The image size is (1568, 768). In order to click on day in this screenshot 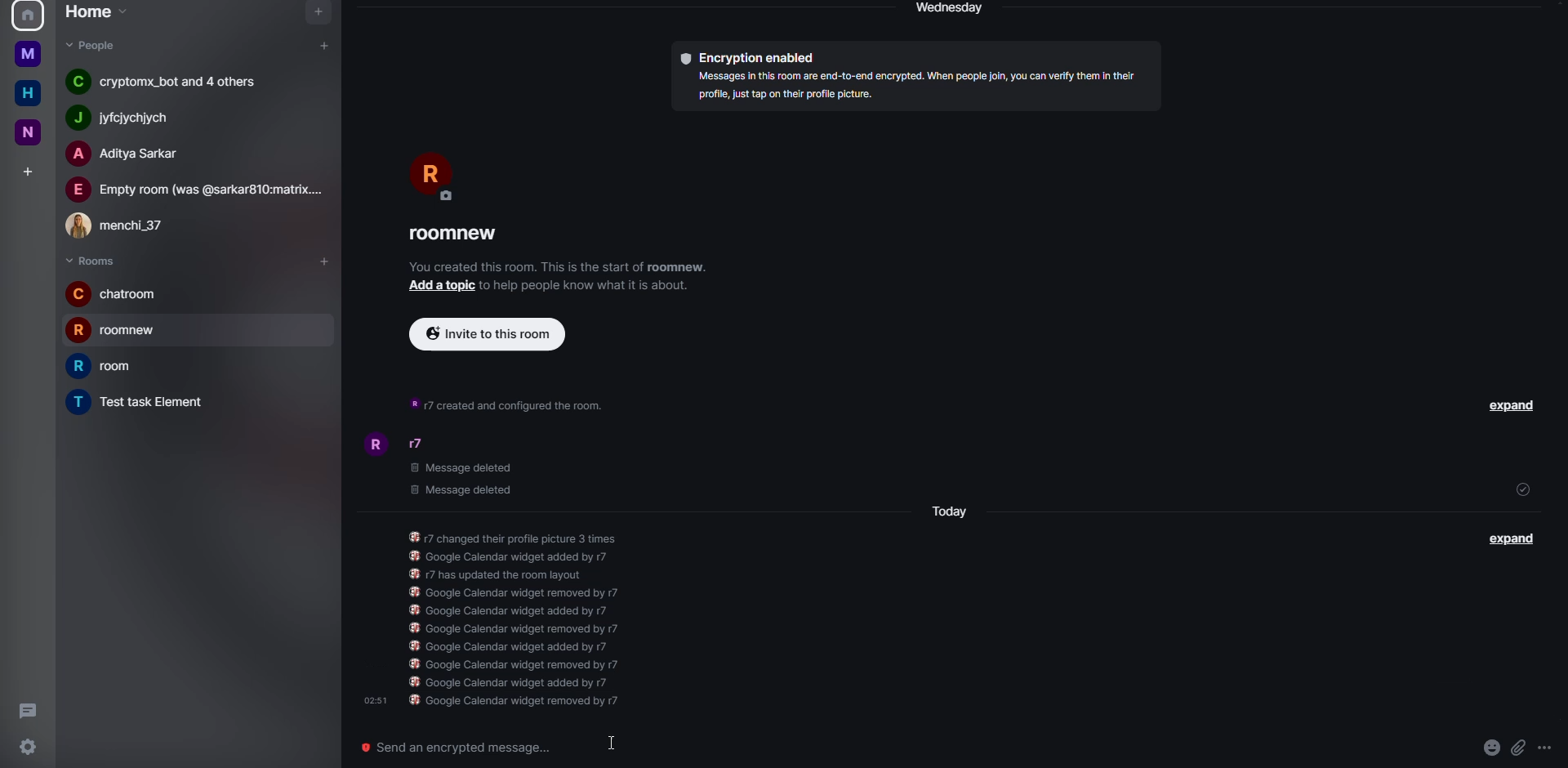, I will do `click(952, 511)`.